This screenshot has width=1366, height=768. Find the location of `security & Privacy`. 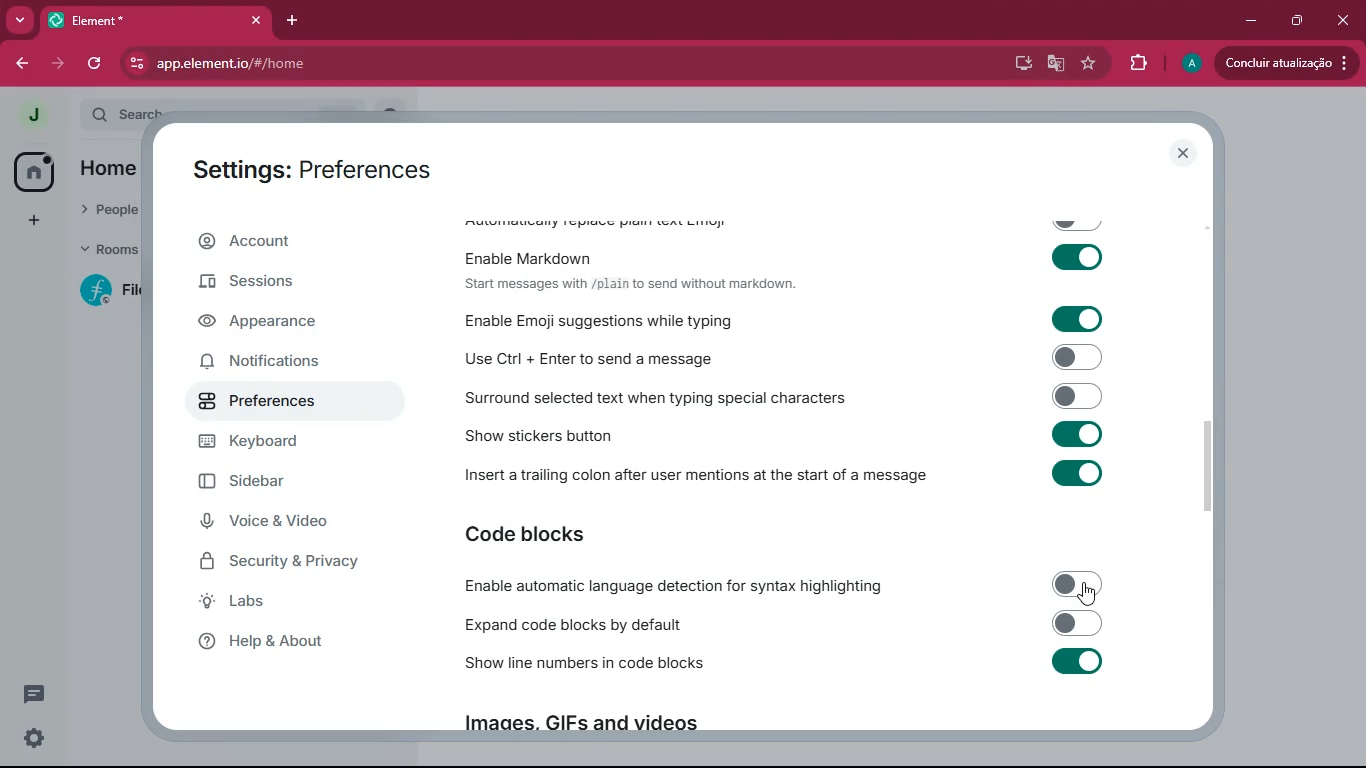

security & Privacy is located at coordinates (289, 563).